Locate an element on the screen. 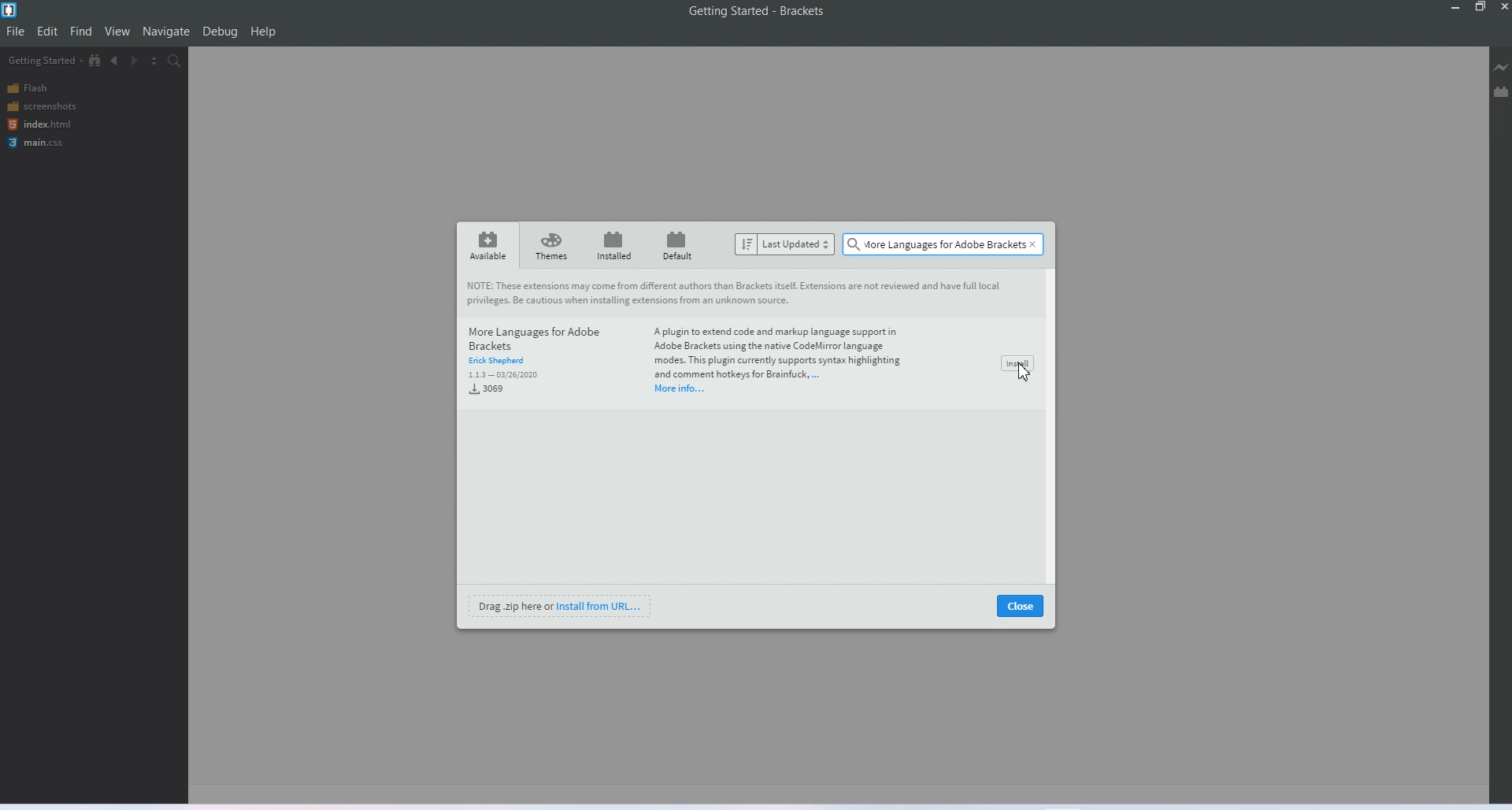  Help is located at coordinates (263, 32).